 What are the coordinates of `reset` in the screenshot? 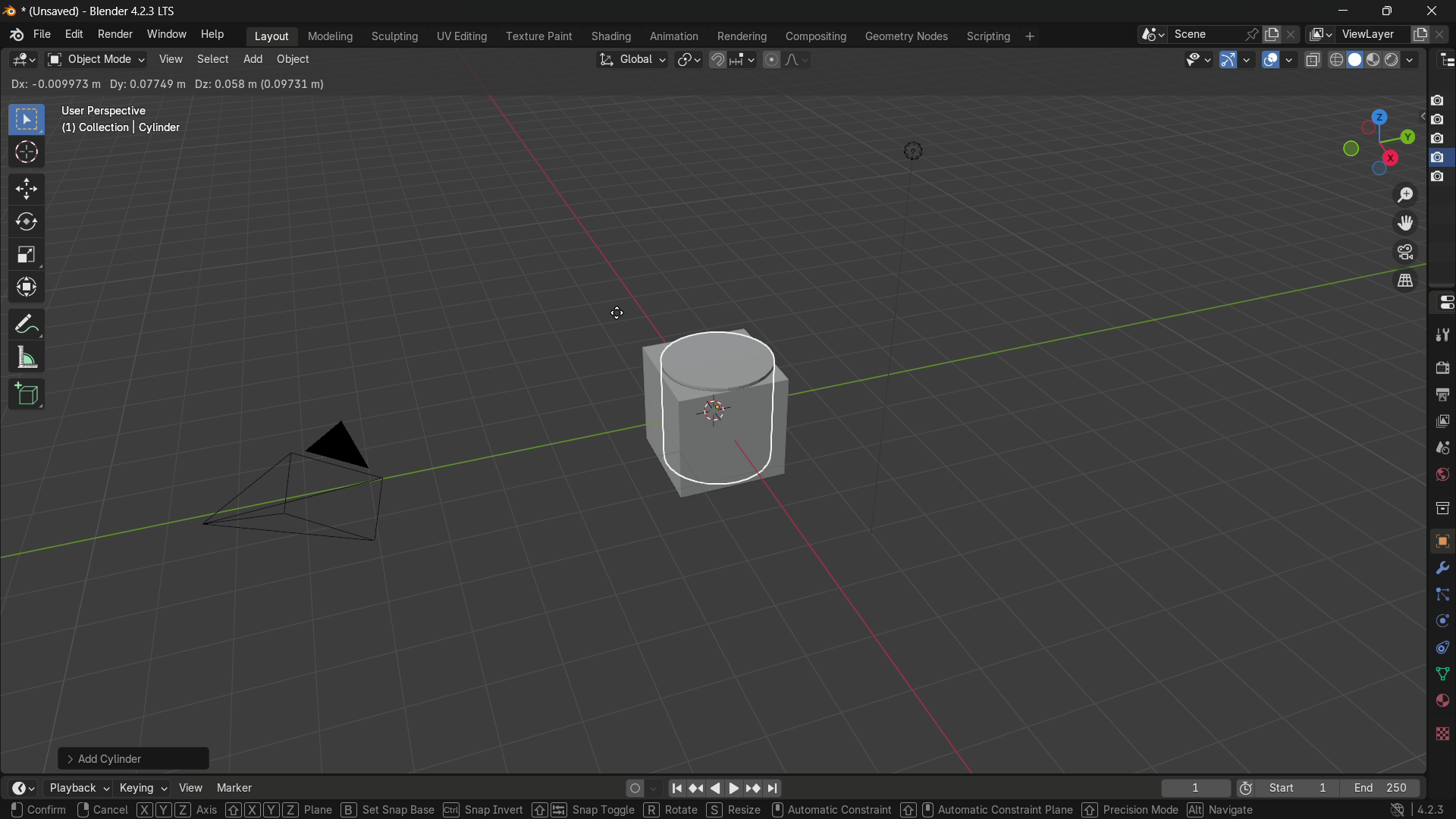 It's located at (698, 789).